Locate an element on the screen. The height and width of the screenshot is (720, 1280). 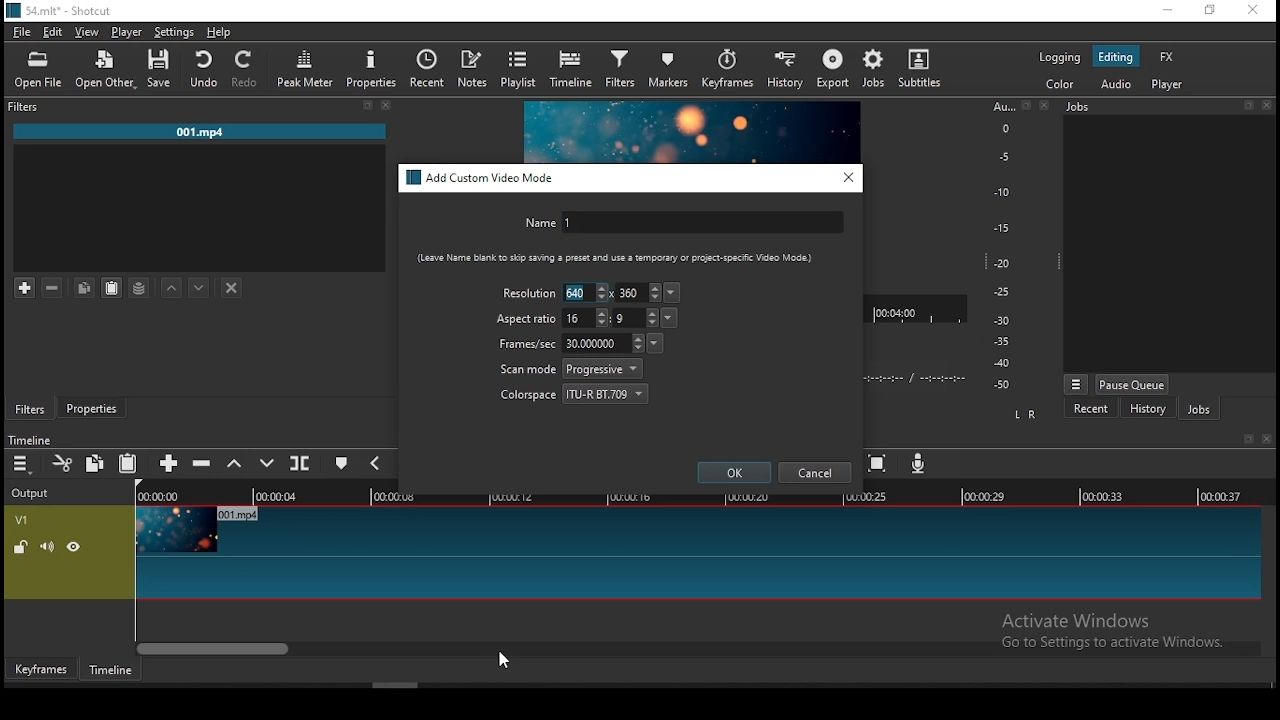
timeline is located at coordinates (573, 69).